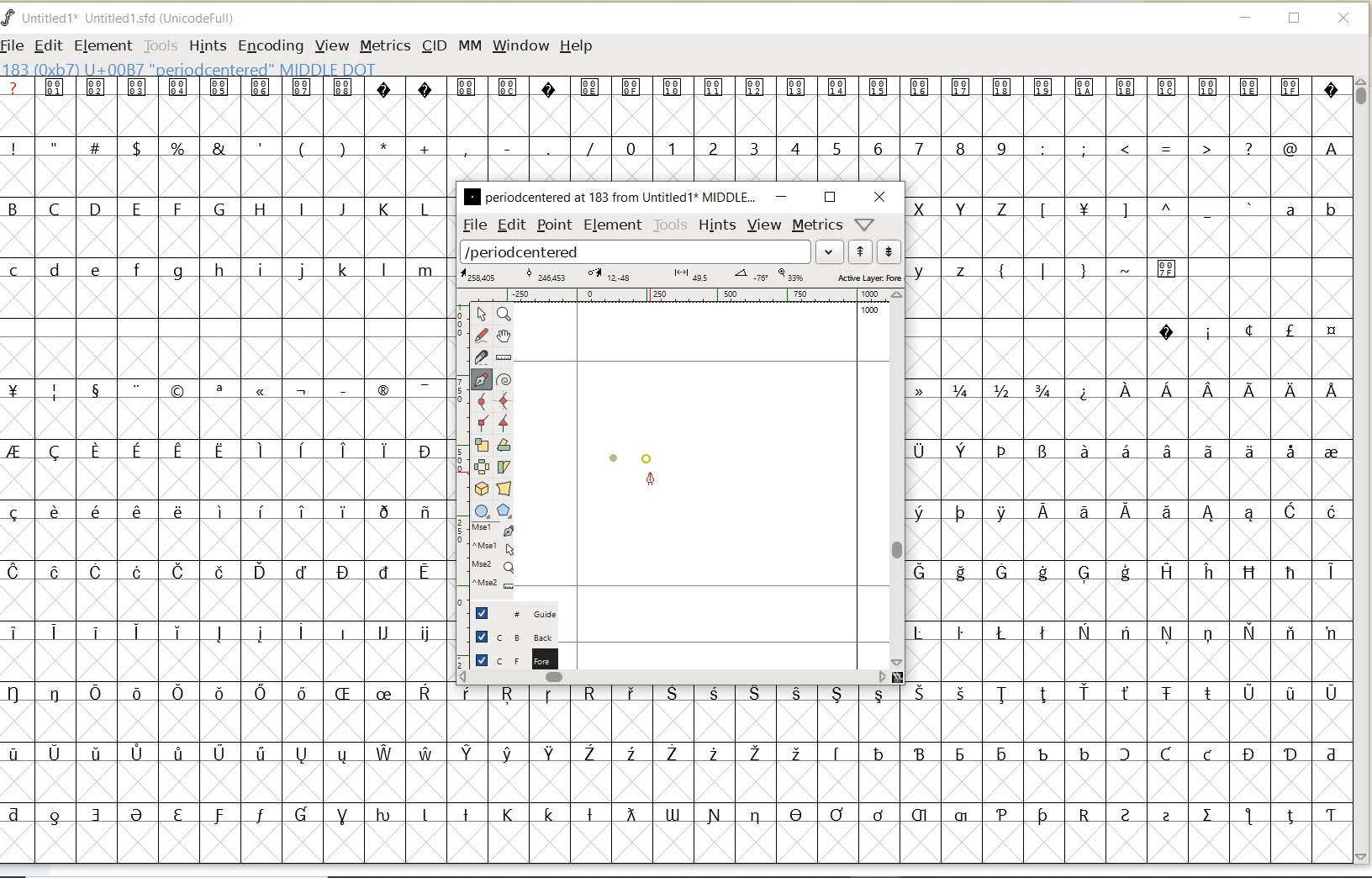 Image resolution: width=1372 pixels, height=878 pixels. What do you see at coordinates (1131, 526) in the screenshot?
I see `special characters` at bounding box center [1131, 526].